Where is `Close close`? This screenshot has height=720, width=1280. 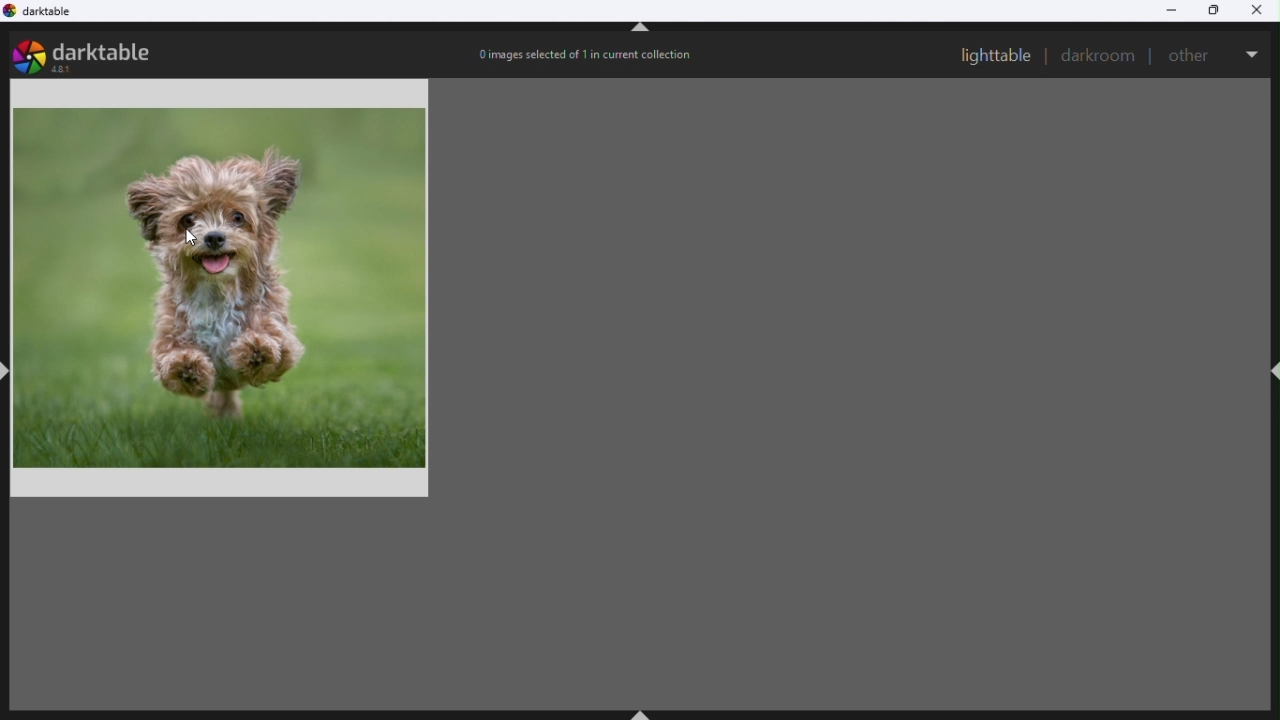
Close close is located at coordinates (1260, 10).